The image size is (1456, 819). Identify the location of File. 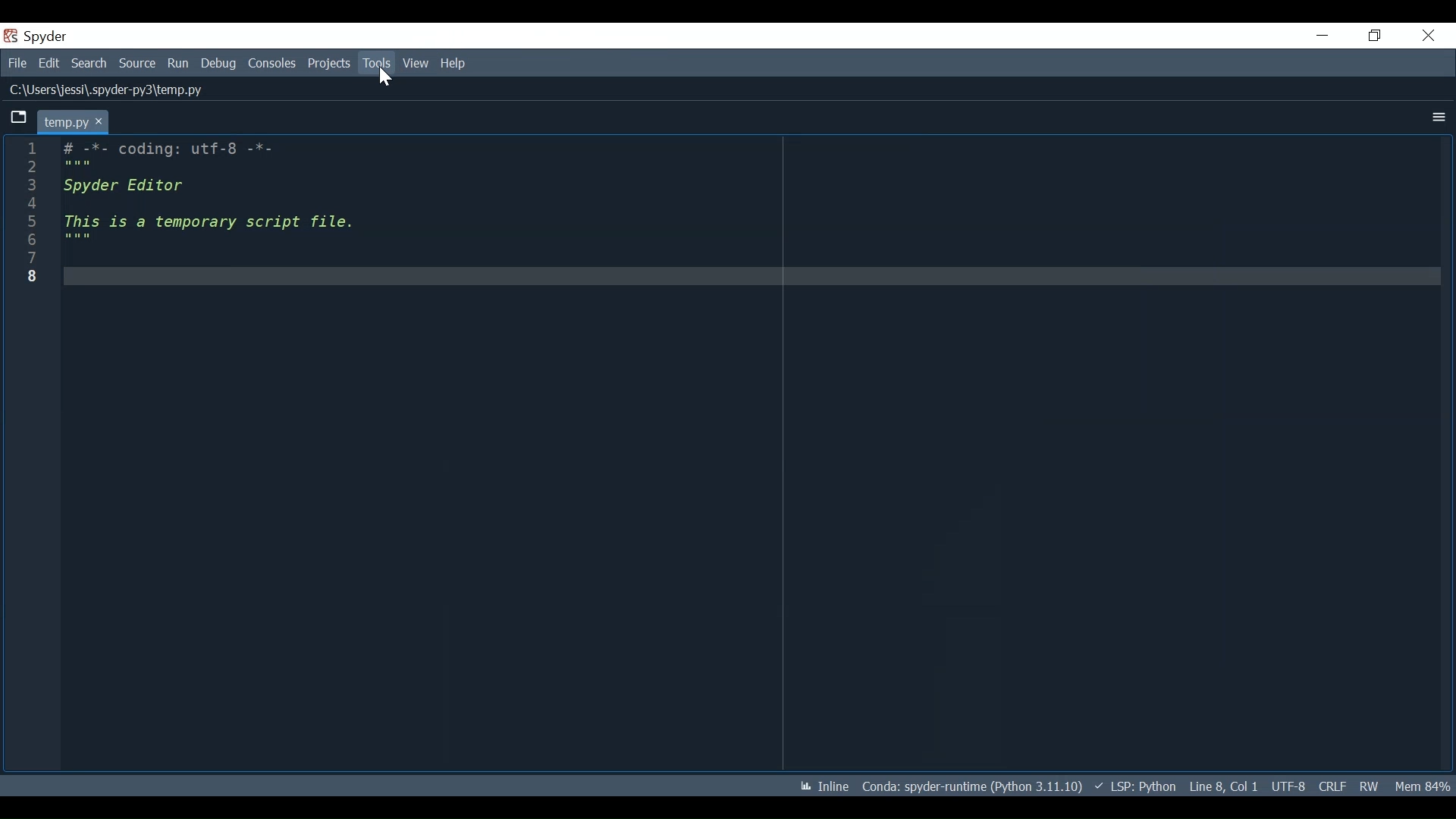
(19, 64).